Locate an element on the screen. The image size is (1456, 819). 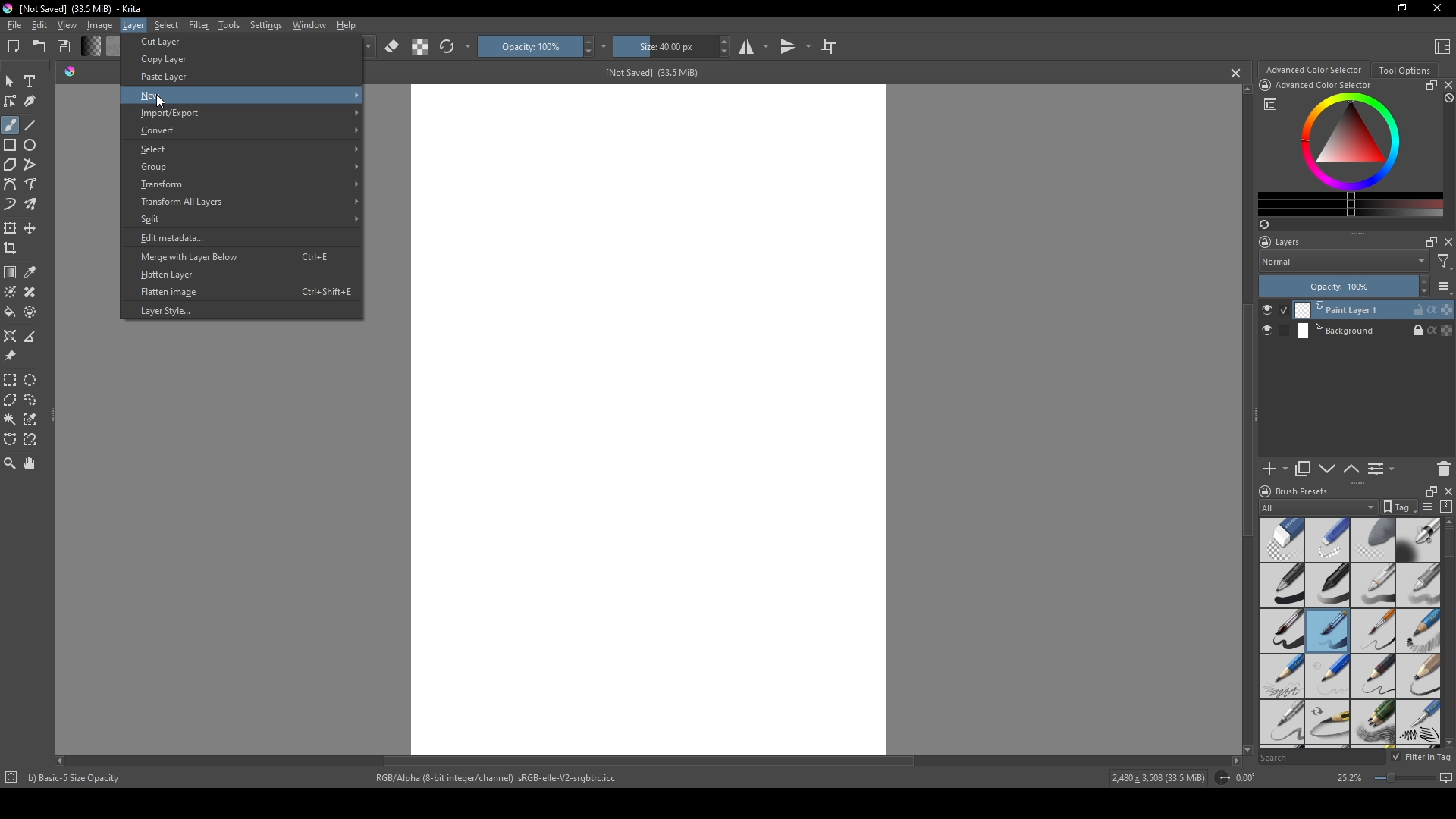
smart patch is located at coordinates (33, 292).